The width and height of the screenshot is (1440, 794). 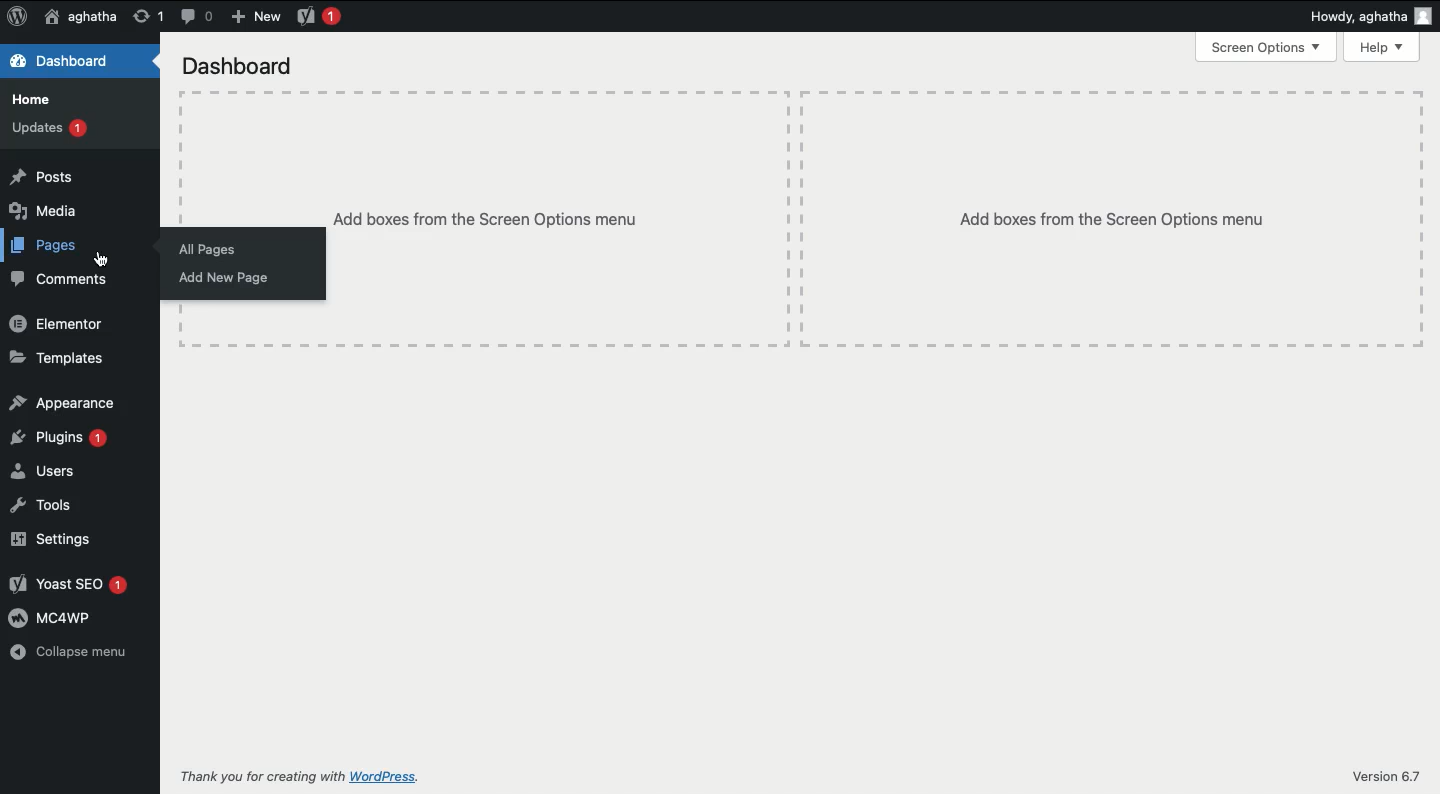 What do you see at coordinates (318, 16) in the screenshot?
I see `Yoast` at bounding box center [318, 16].